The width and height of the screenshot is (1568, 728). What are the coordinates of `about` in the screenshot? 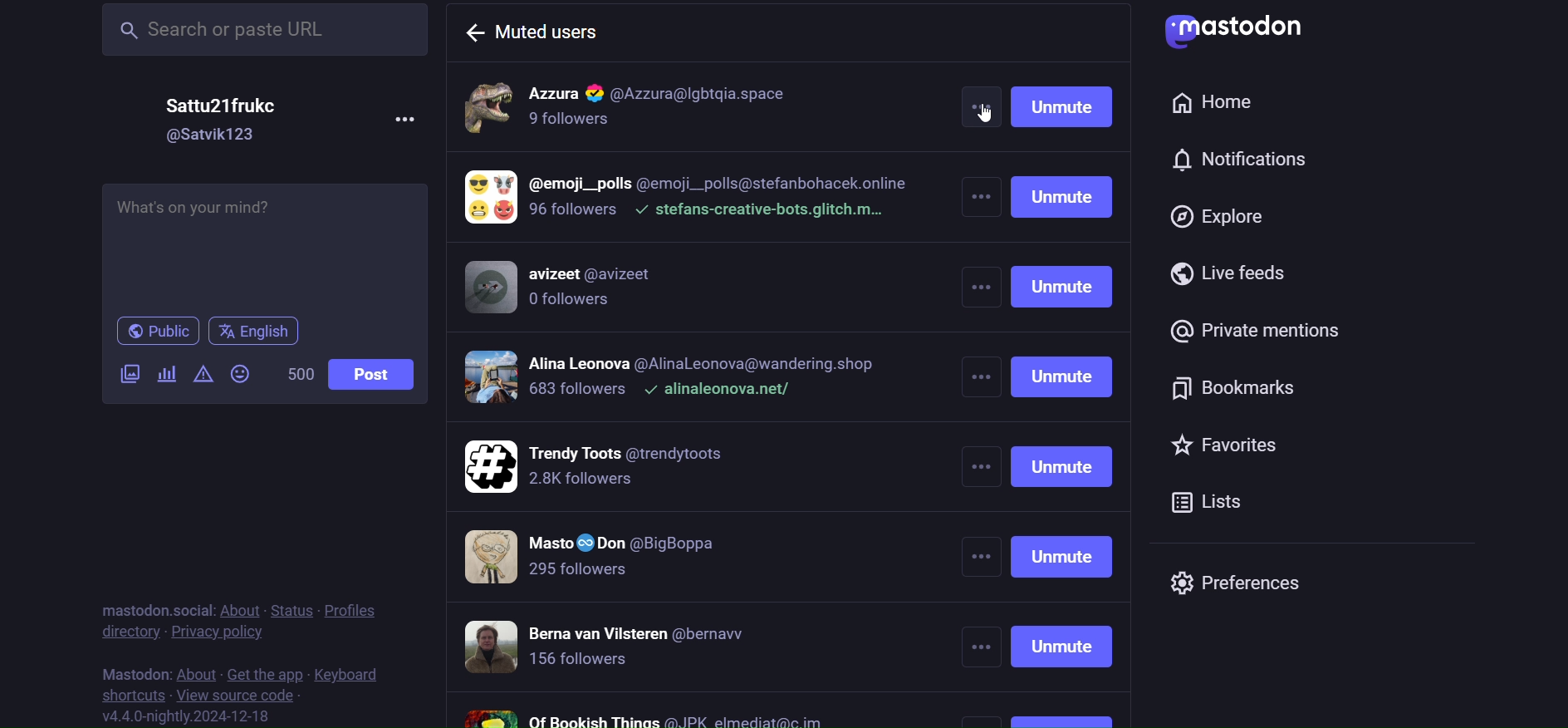 It's located at (243, 607).